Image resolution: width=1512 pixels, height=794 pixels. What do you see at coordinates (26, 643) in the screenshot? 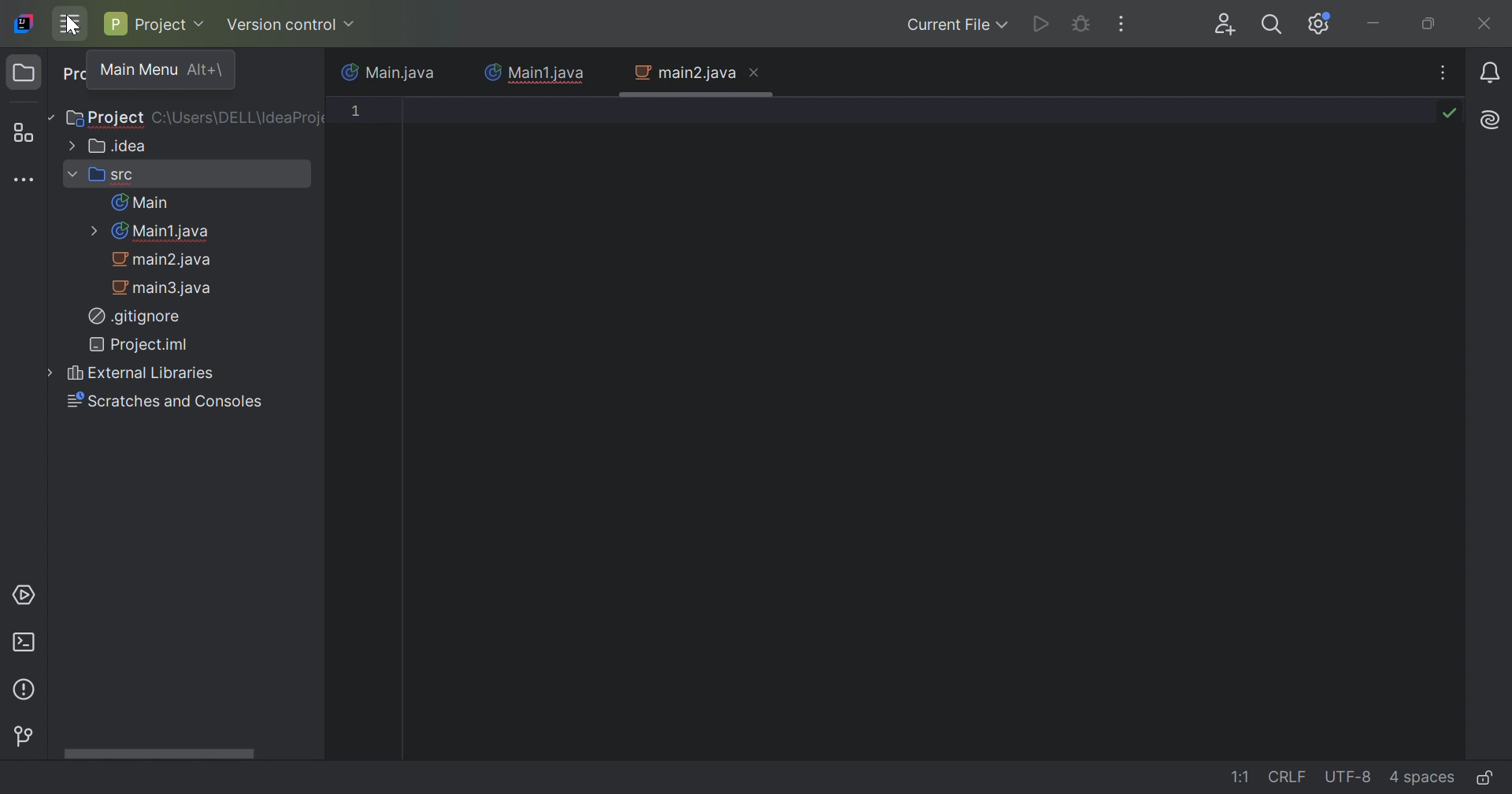
I see `Terminal` at bounding box center [26, 643].